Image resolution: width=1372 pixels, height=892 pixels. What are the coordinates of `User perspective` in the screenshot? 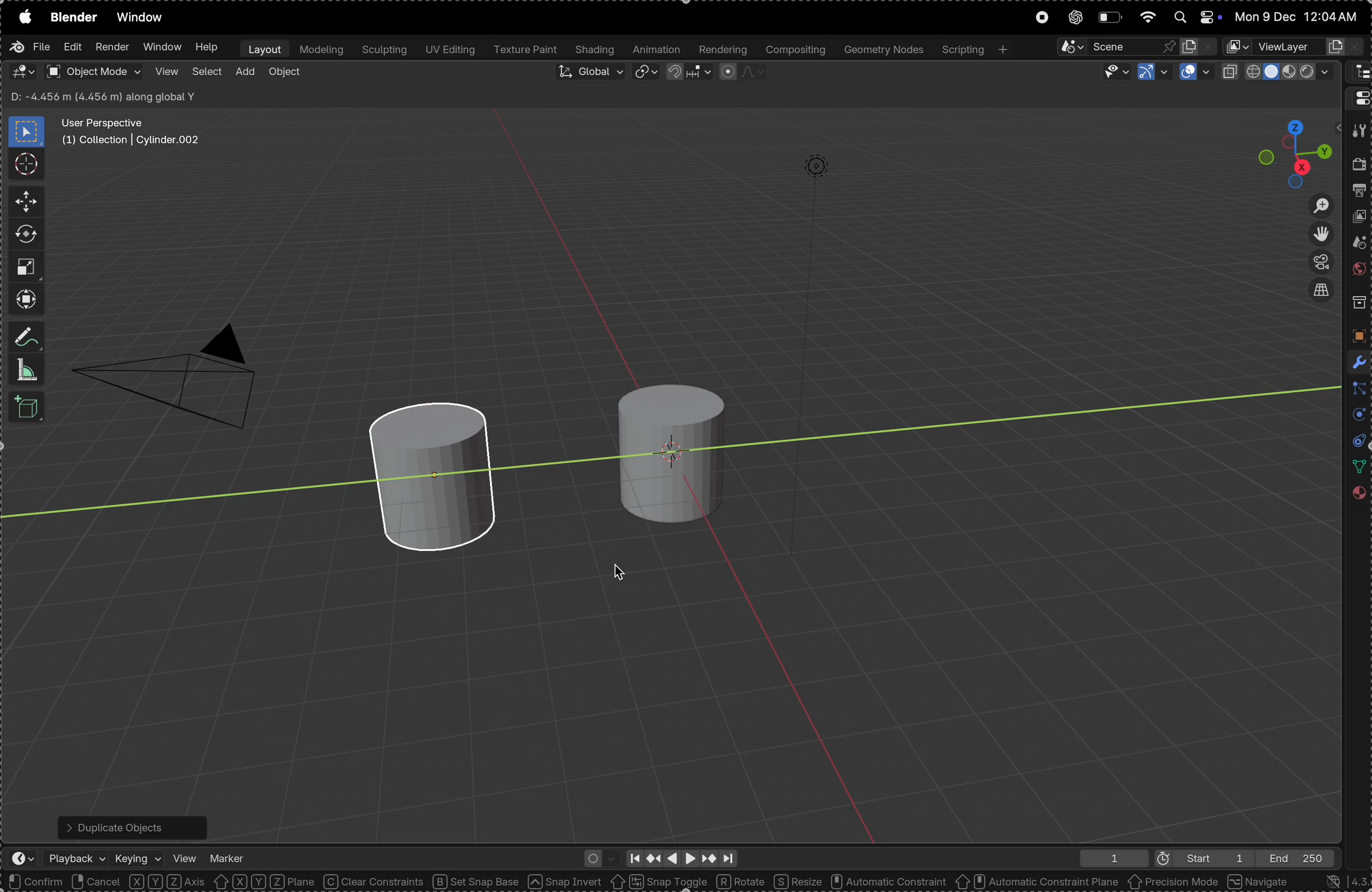 It's located at (133, 132).